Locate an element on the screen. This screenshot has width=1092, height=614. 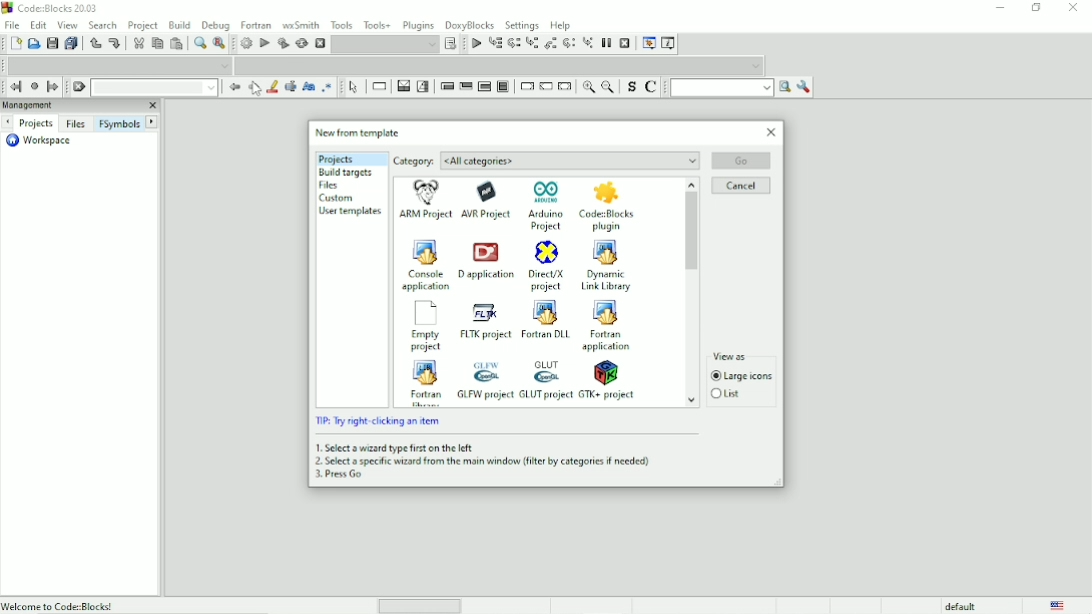
Fortran library is located at coordinates (423, 382).